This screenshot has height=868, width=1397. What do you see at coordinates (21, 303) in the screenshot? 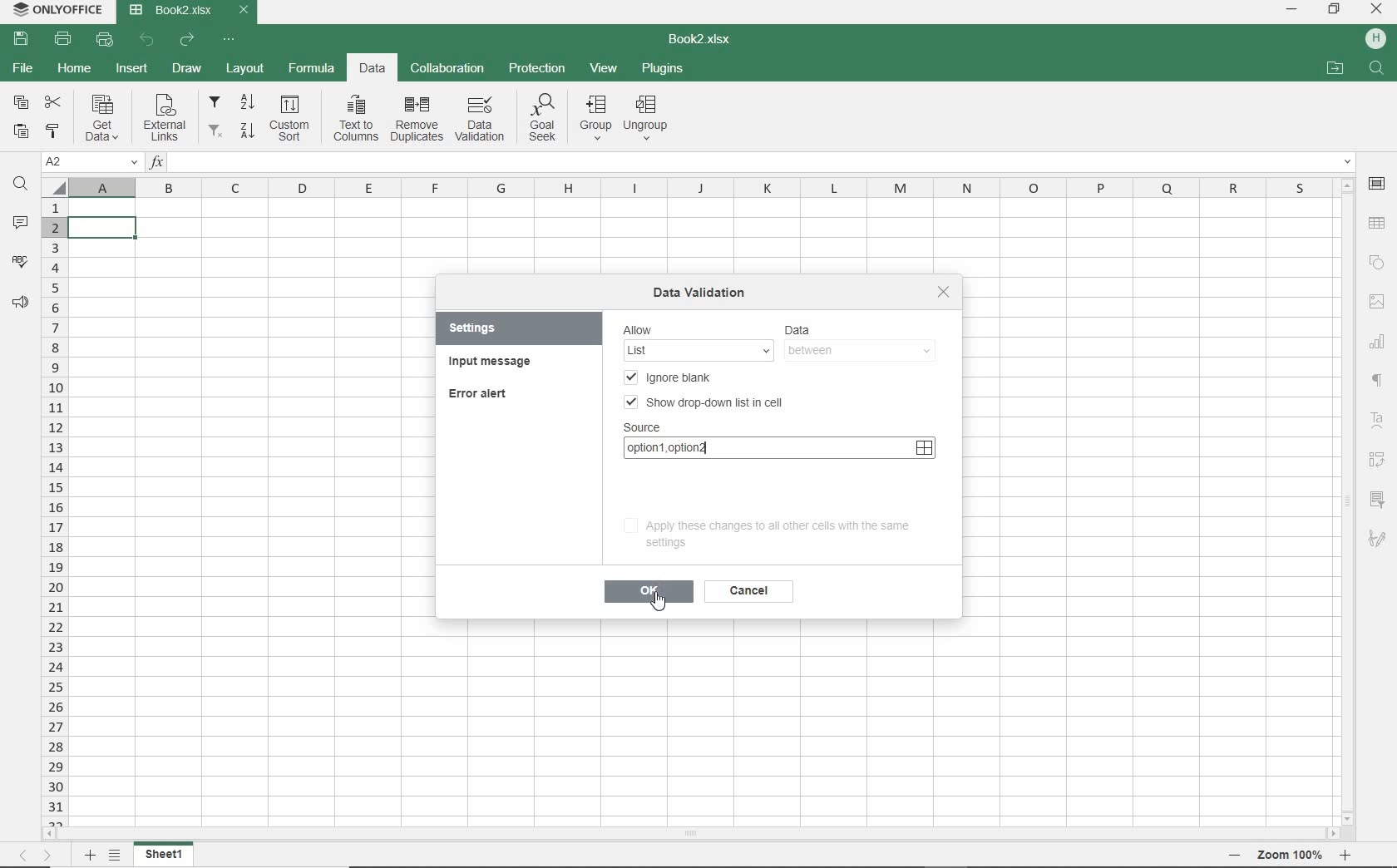
I see `FEEDBACK & SUPPORT` at bounding box center [21, 303].